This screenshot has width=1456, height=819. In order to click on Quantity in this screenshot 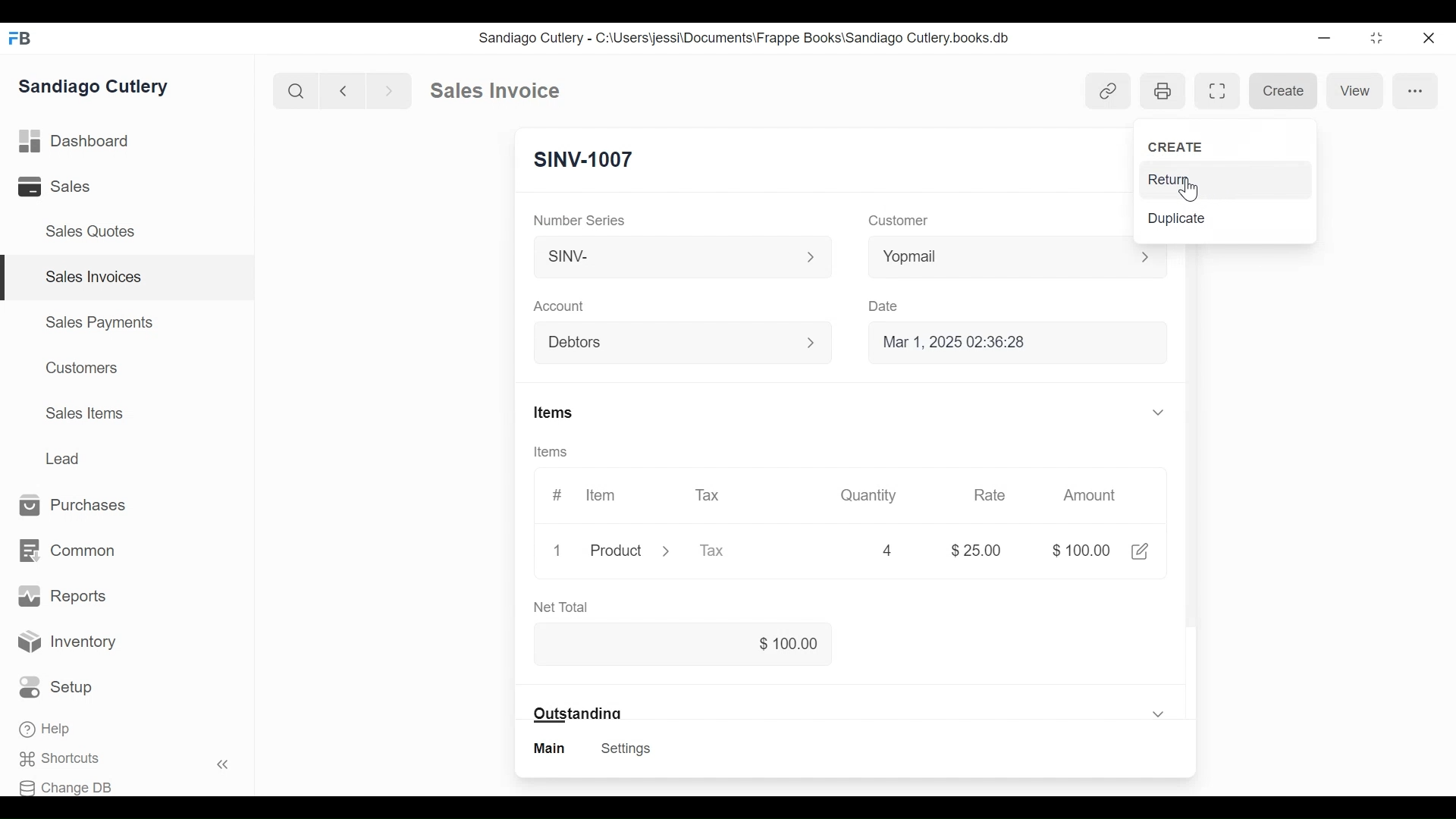, I will do `click(868, 496)`.